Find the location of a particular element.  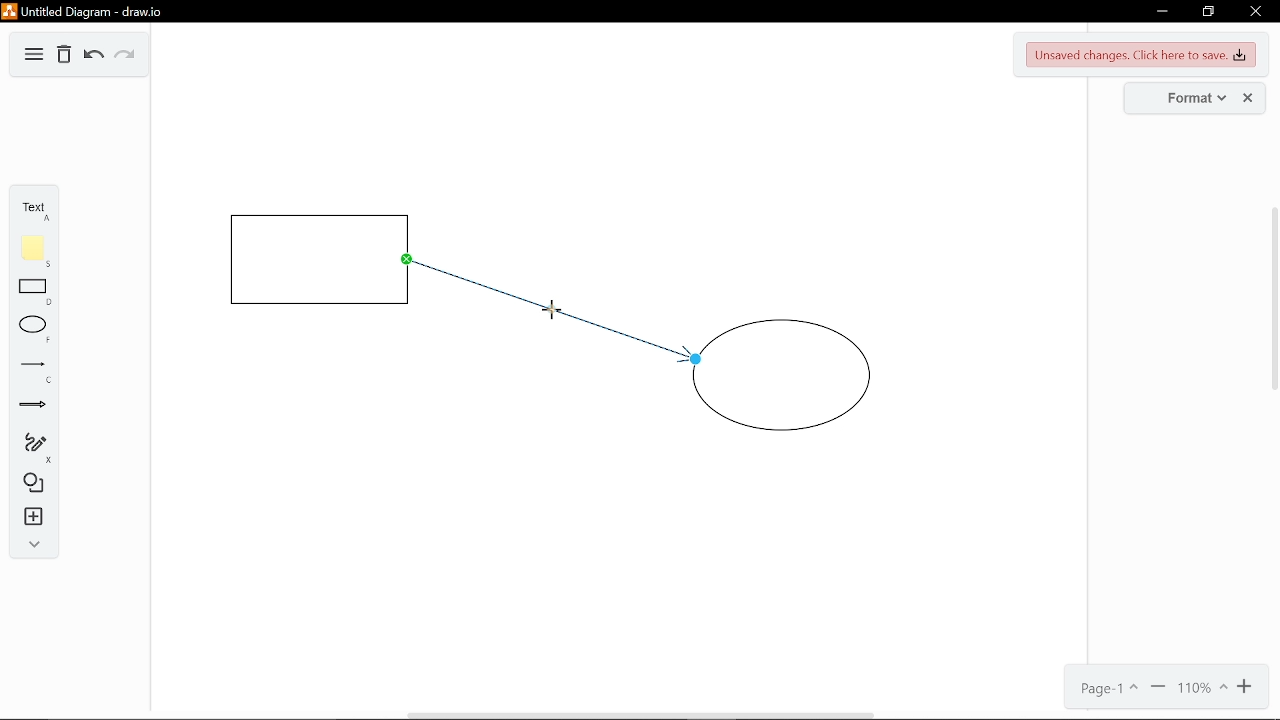

Text is located at coordinates (32, 208).